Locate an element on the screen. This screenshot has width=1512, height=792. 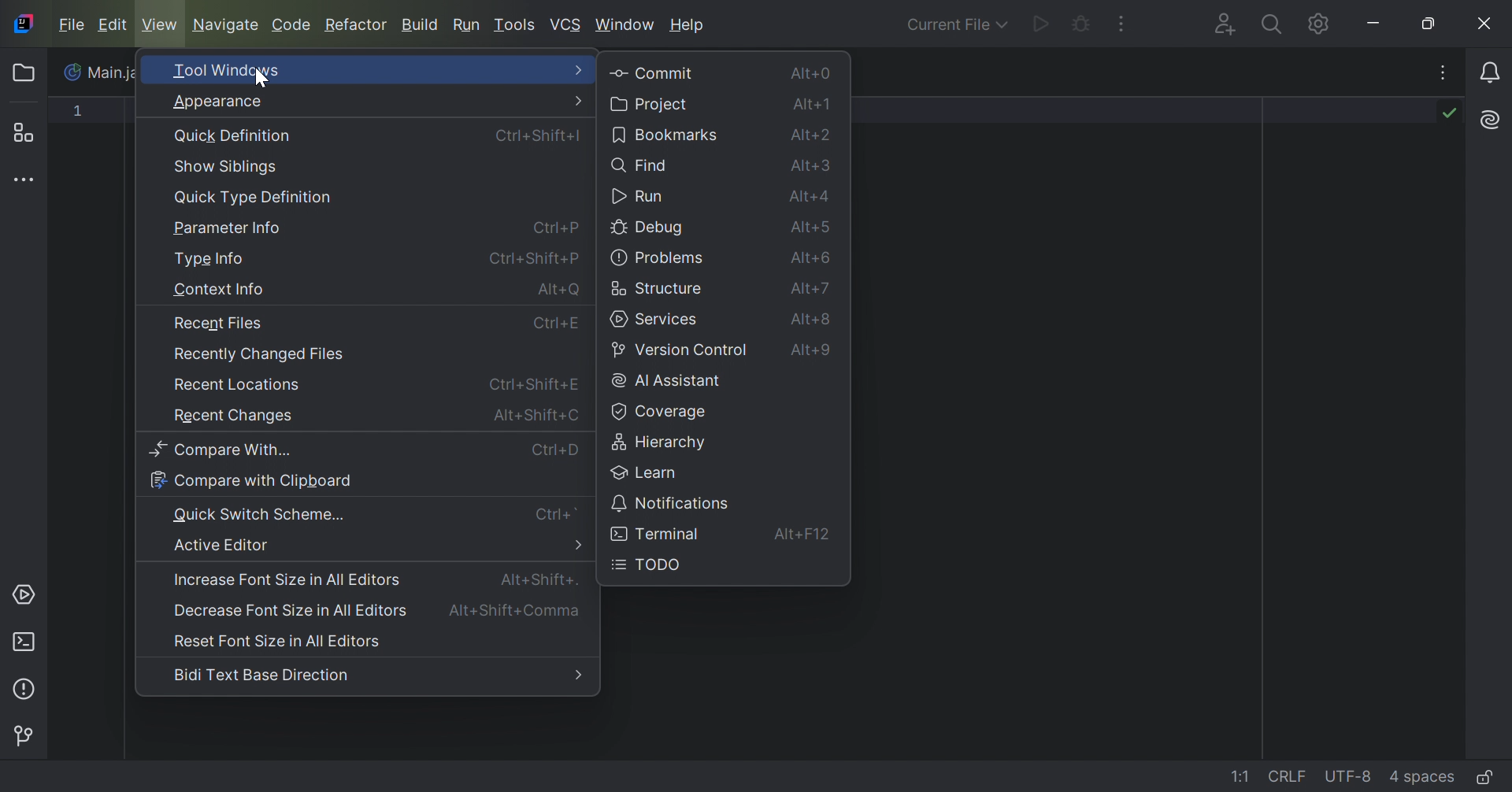
Notifications is located at coordinates (1493, 72).